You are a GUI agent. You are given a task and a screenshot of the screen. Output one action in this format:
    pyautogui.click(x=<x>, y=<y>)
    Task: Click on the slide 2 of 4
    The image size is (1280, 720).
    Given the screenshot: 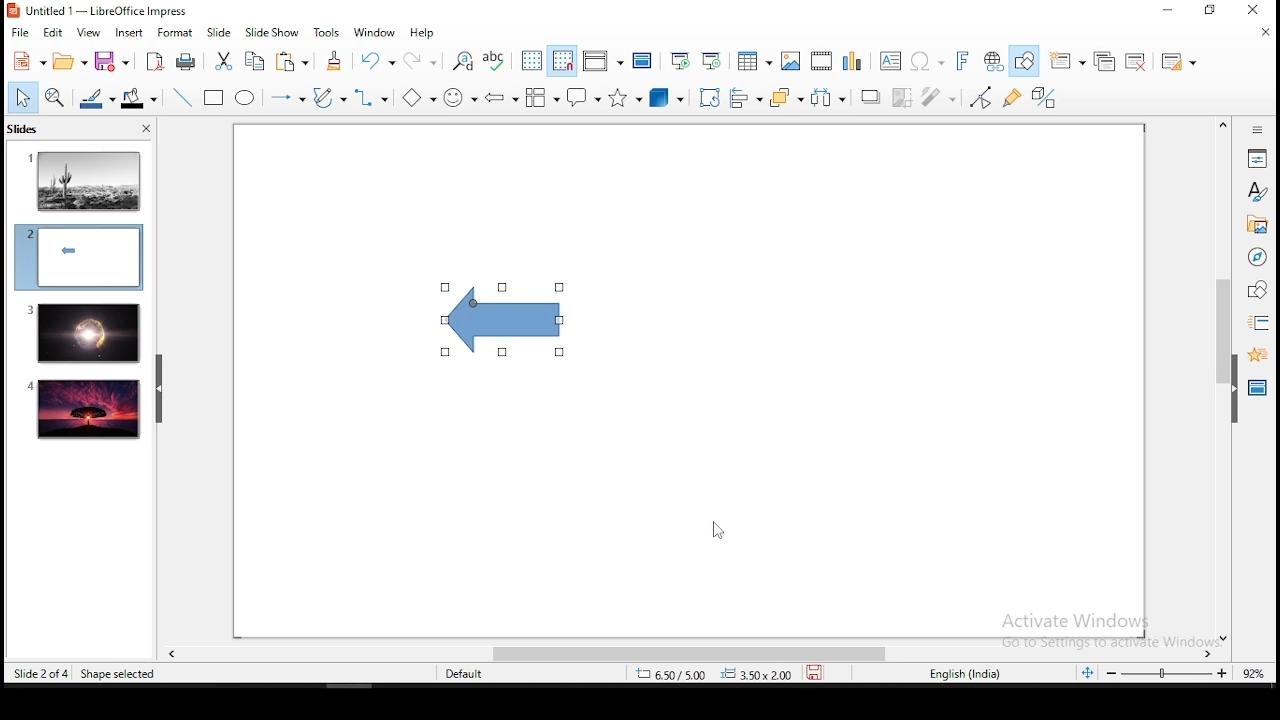 What is the action you would take?
    pyautogui.click(x=41, y=674)
    